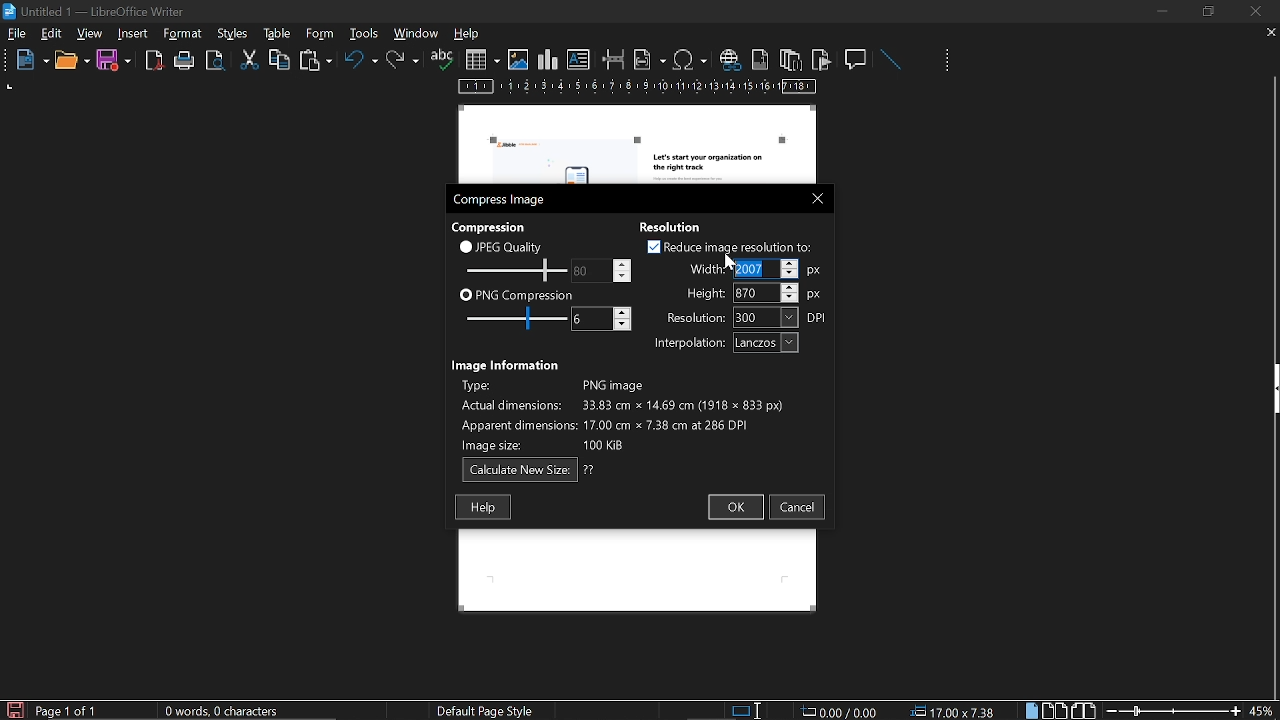 The image size is (1280, 720). I want to click on insert, so click(134, 34).